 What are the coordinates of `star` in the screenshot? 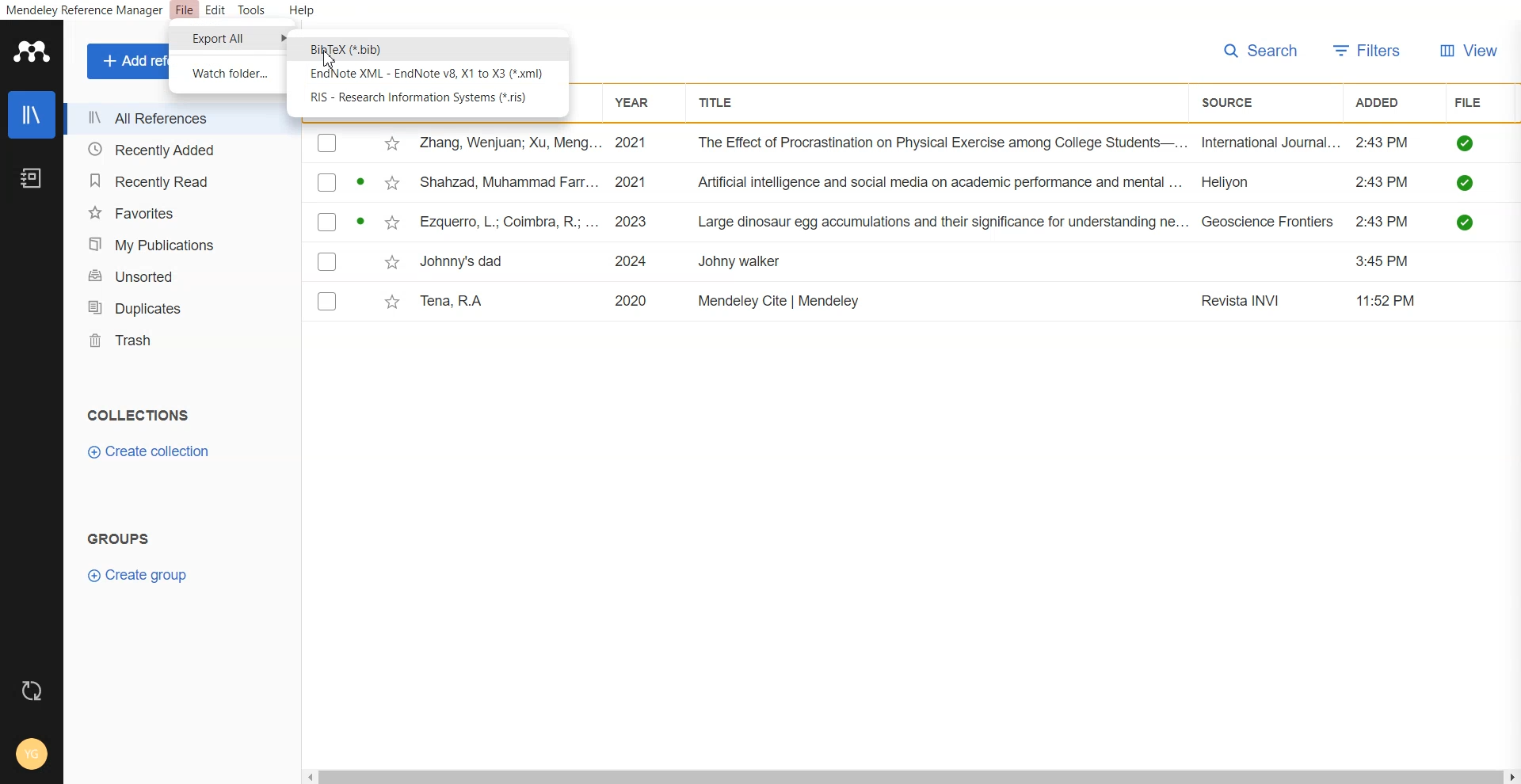 It's located at (390, 303).